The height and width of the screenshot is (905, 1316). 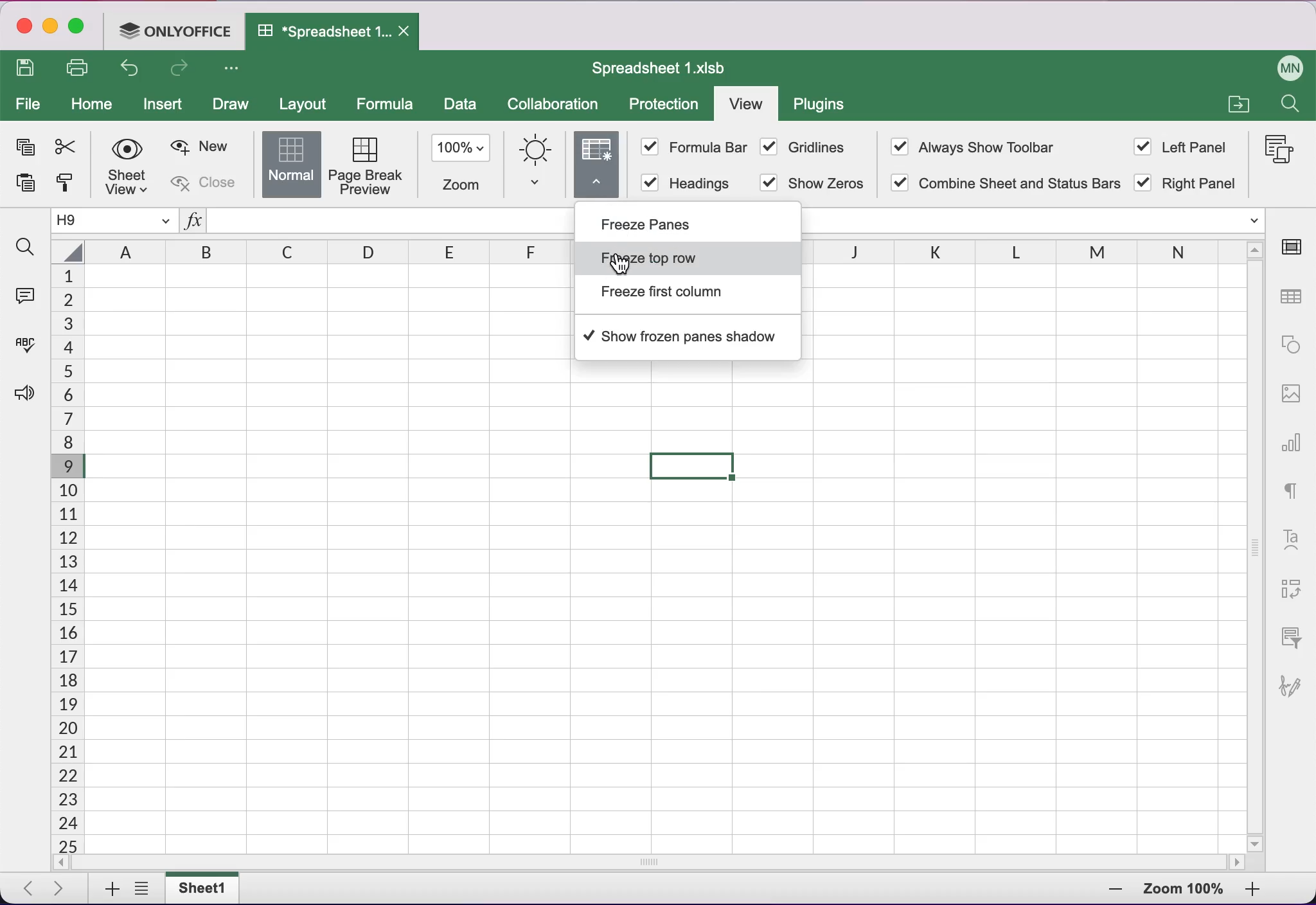 What do you see at coordinates (745, 103) in the screenshot?
I see `view` at bounding box center [745, 103].